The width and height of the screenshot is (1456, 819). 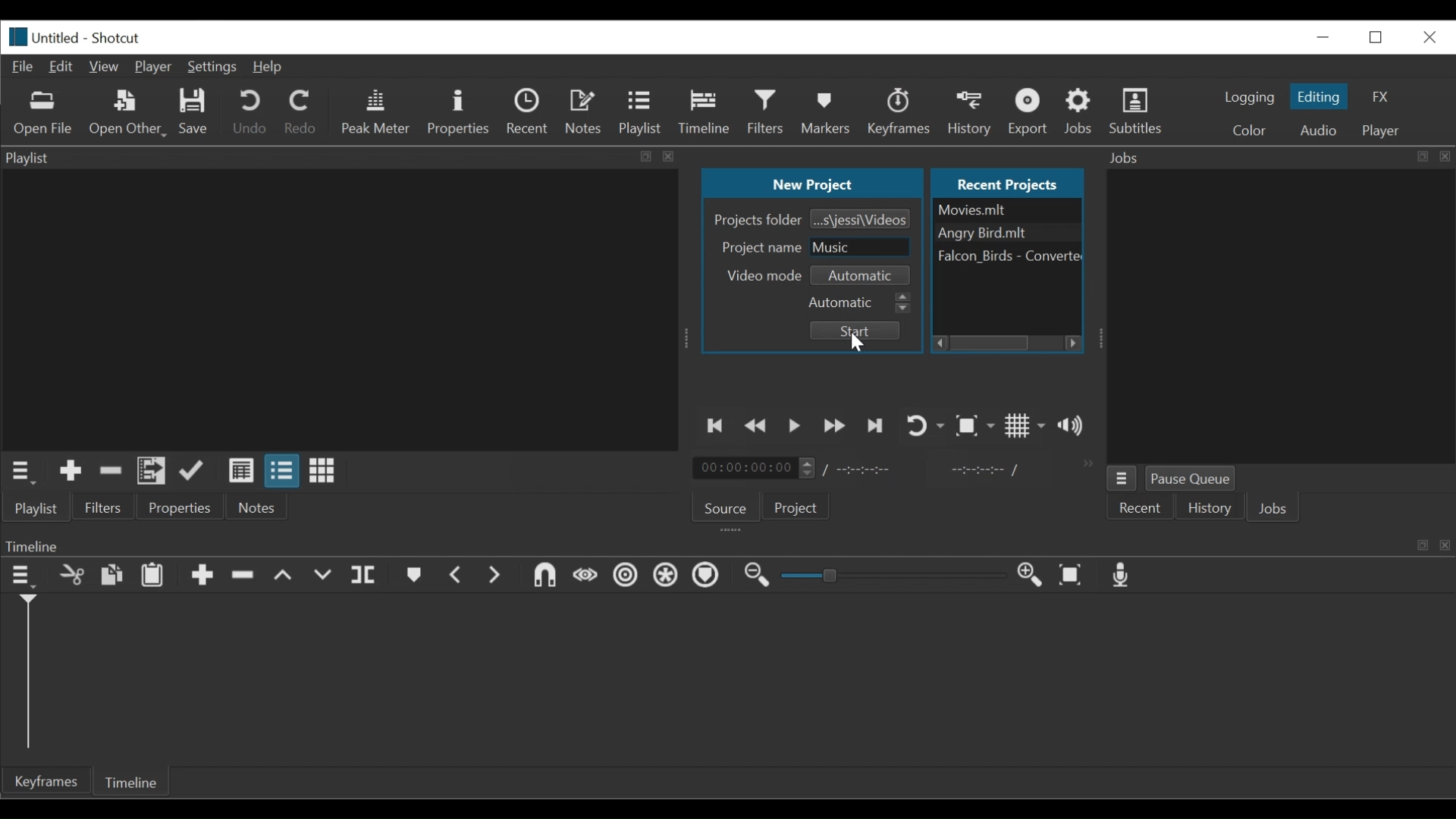 What do you see at coordinates (1026, 426) in the screenshot?
I see `Toggle display grid on the player` at bounding box center [1026, 426].